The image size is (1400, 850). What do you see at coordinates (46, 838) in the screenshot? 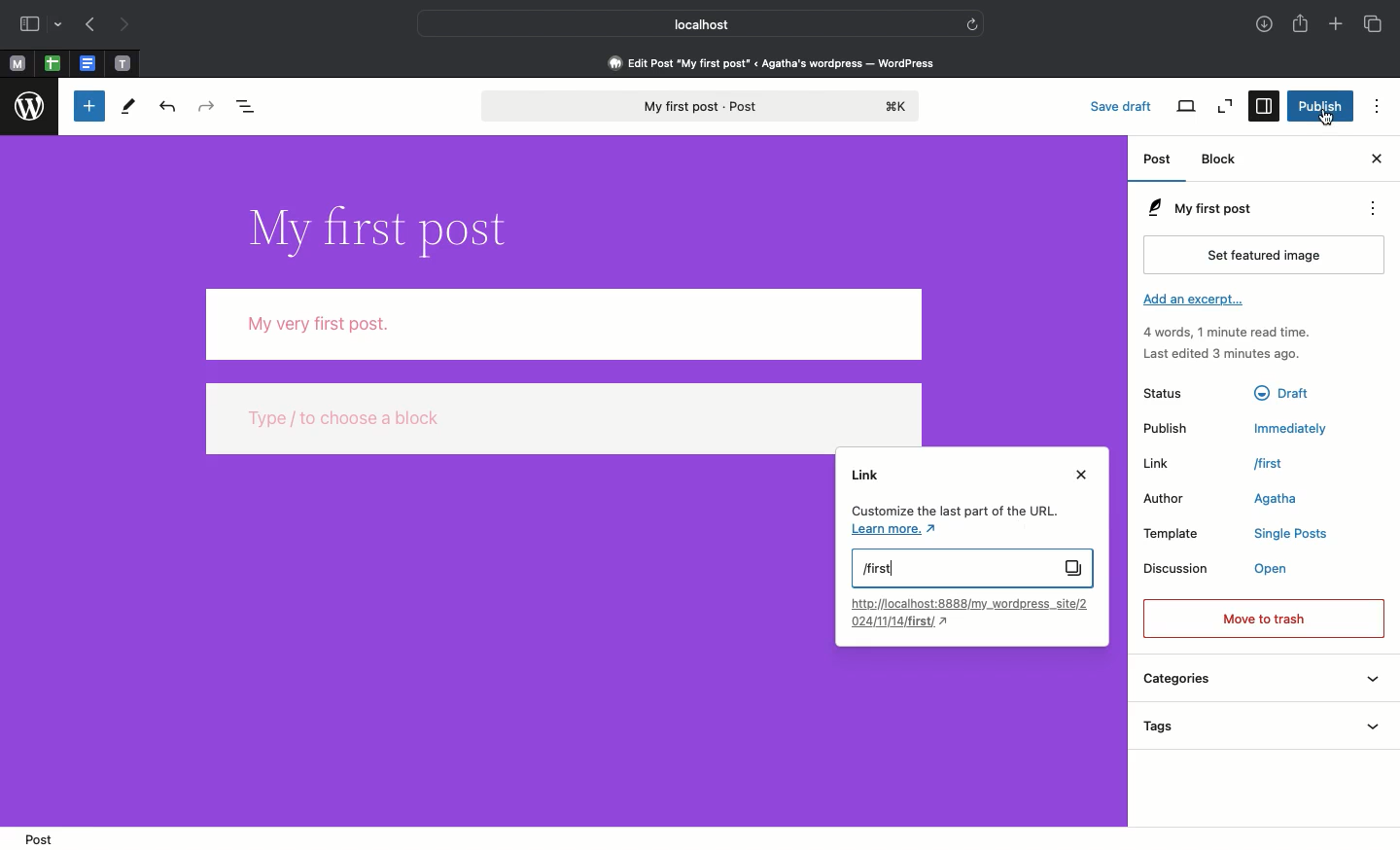
I see `Post` at bounding box center [46, 838].